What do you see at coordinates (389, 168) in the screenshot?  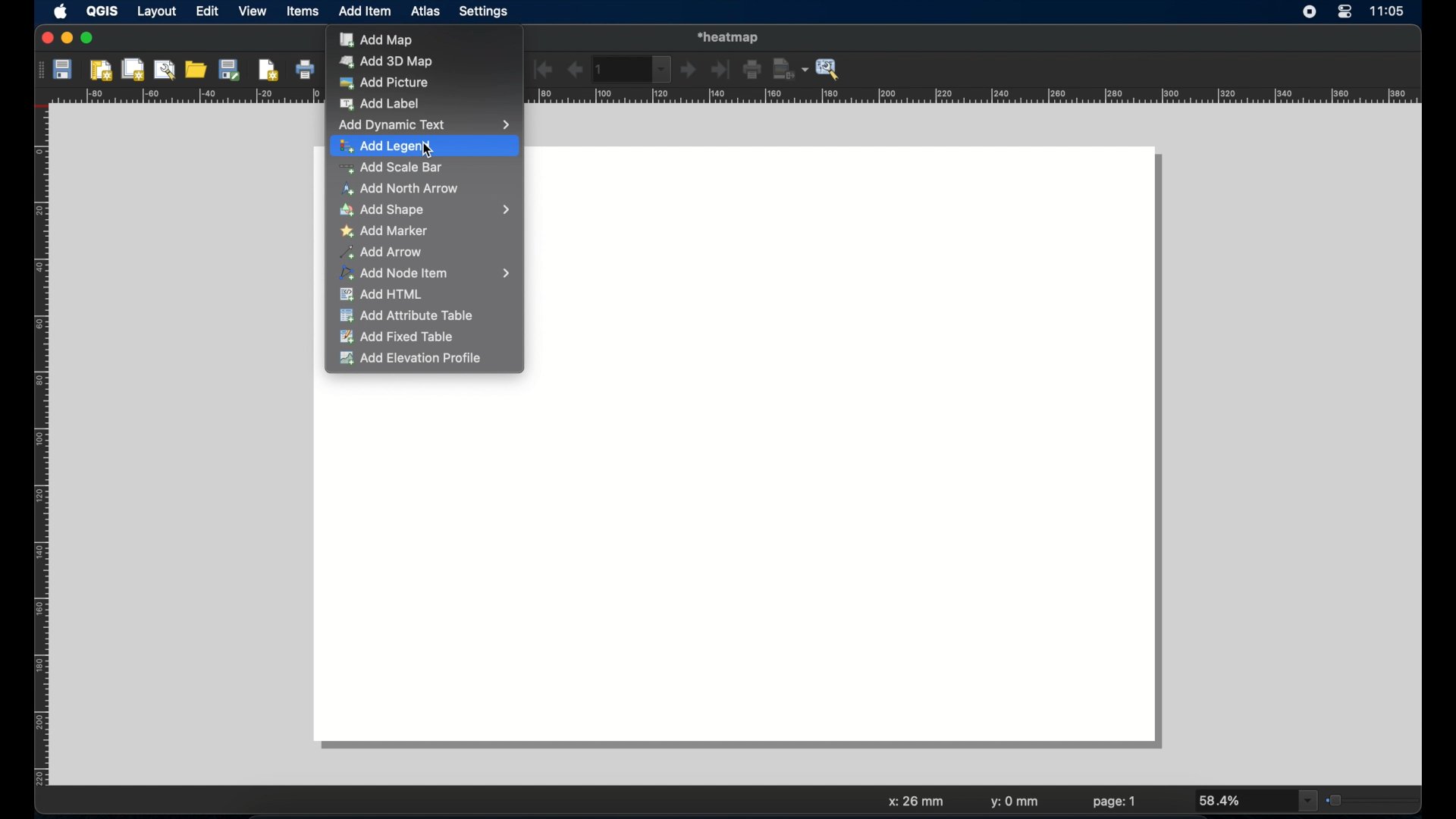 I see `add scale bar` at bounding box center [389, 168].